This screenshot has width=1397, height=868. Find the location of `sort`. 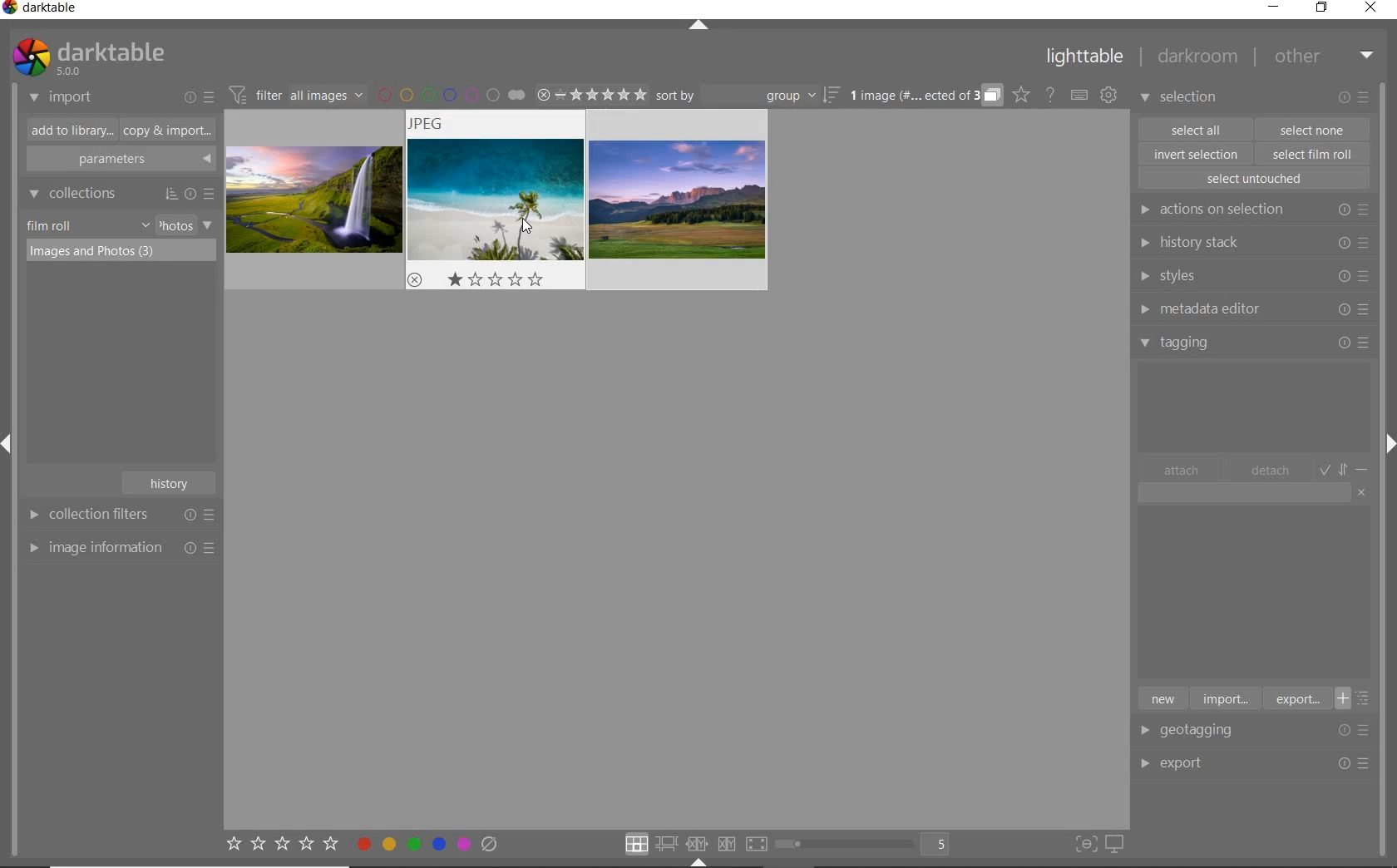

sort is located at coordinates (750, 96).